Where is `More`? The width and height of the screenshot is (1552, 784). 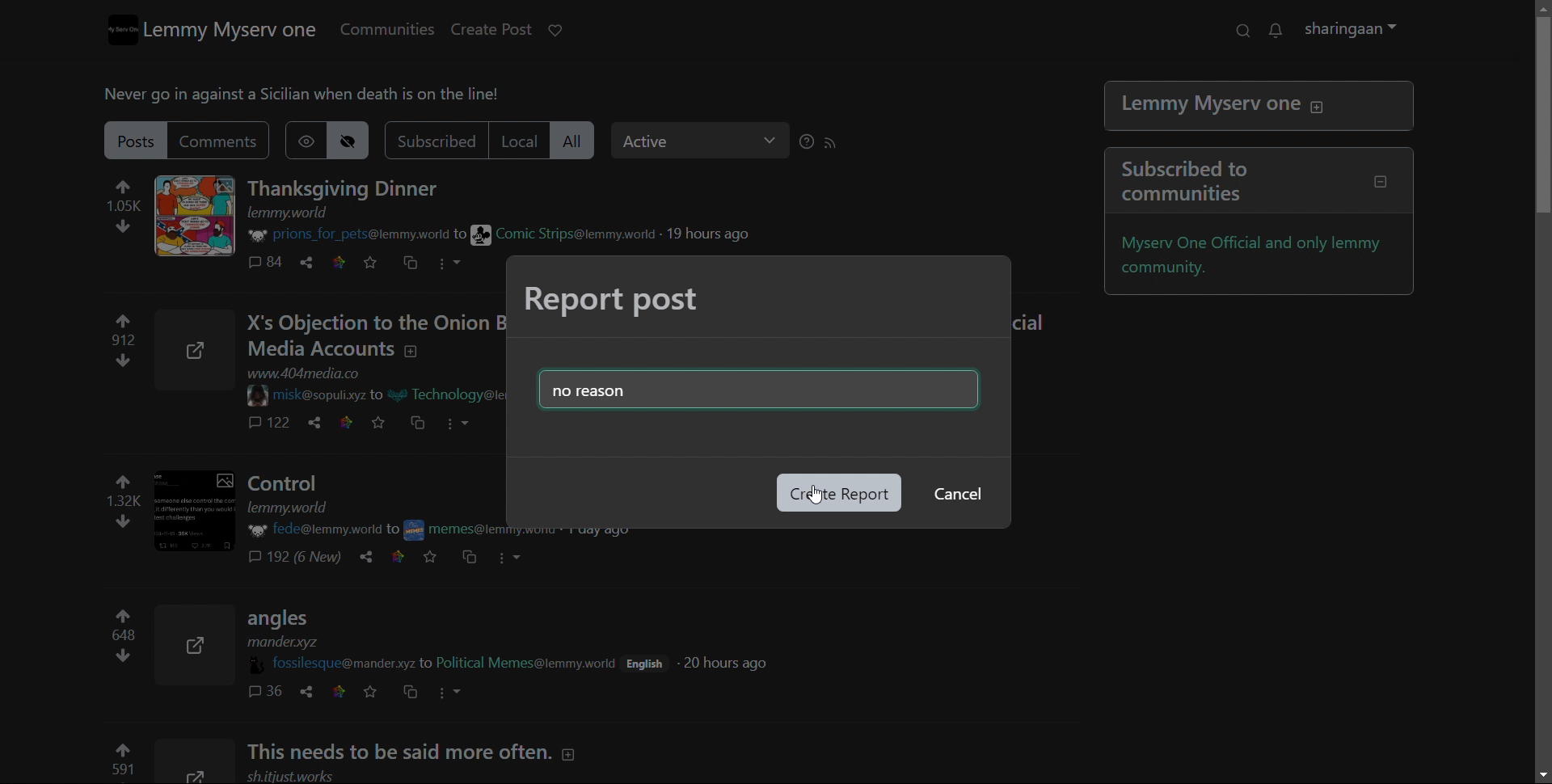 More is located at coordinates (521, 560).